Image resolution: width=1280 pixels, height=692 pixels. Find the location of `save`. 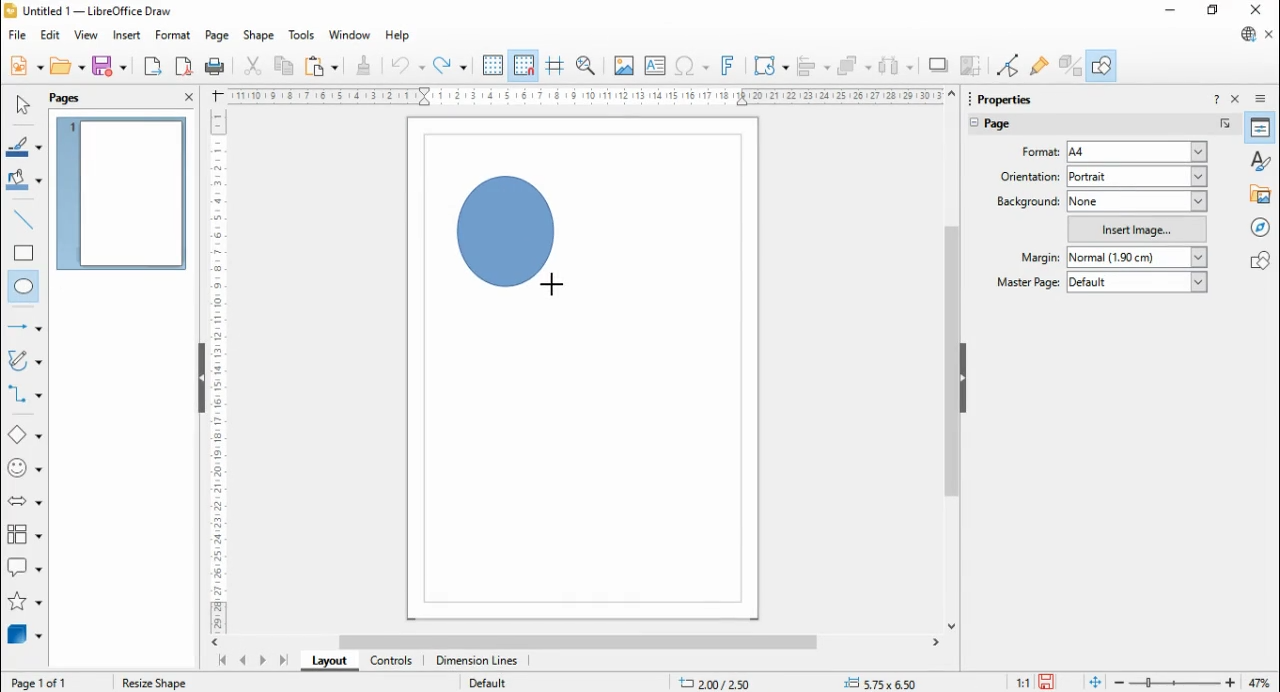

save is located at coordinates (109, 66).